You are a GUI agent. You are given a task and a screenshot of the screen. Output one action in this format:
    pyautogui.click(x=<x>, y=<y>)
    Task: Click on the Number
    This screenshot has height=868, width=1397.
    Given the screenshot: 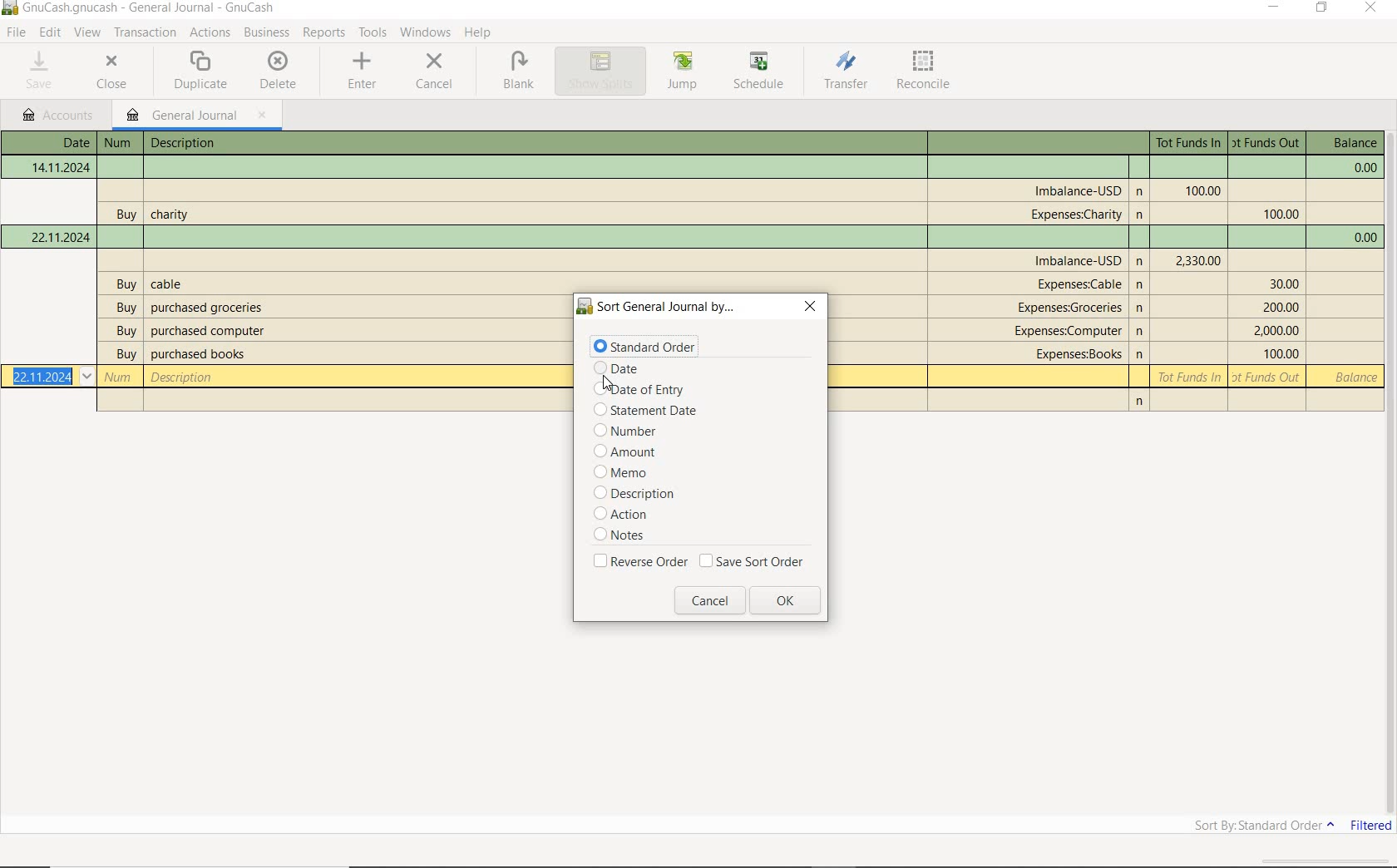 What is the action you would take?
    pyautogui.click(x=120, y=378)
    